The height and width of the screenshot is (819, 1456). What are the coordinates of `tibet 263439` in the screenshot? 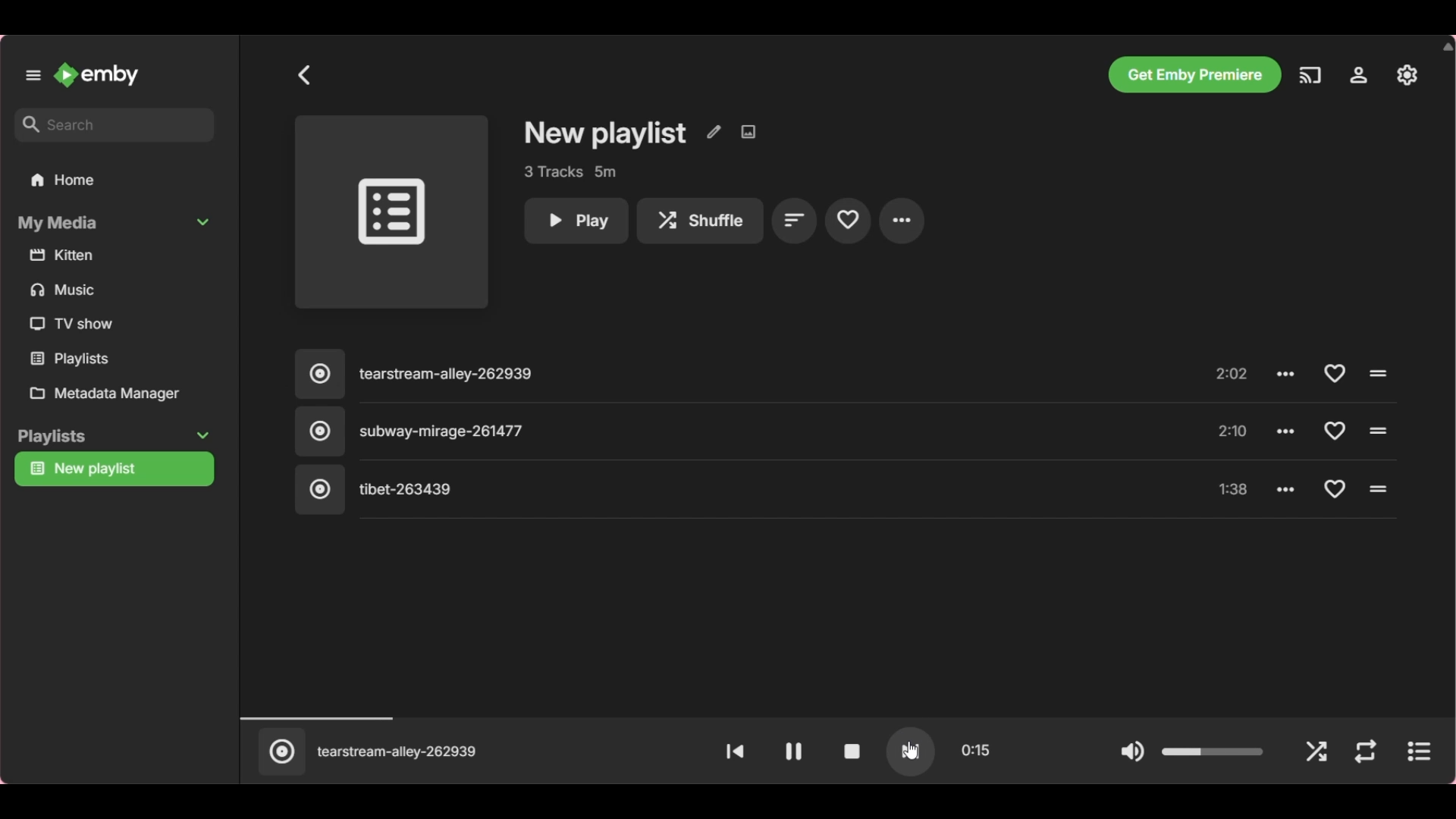 It's located at (376, 490).